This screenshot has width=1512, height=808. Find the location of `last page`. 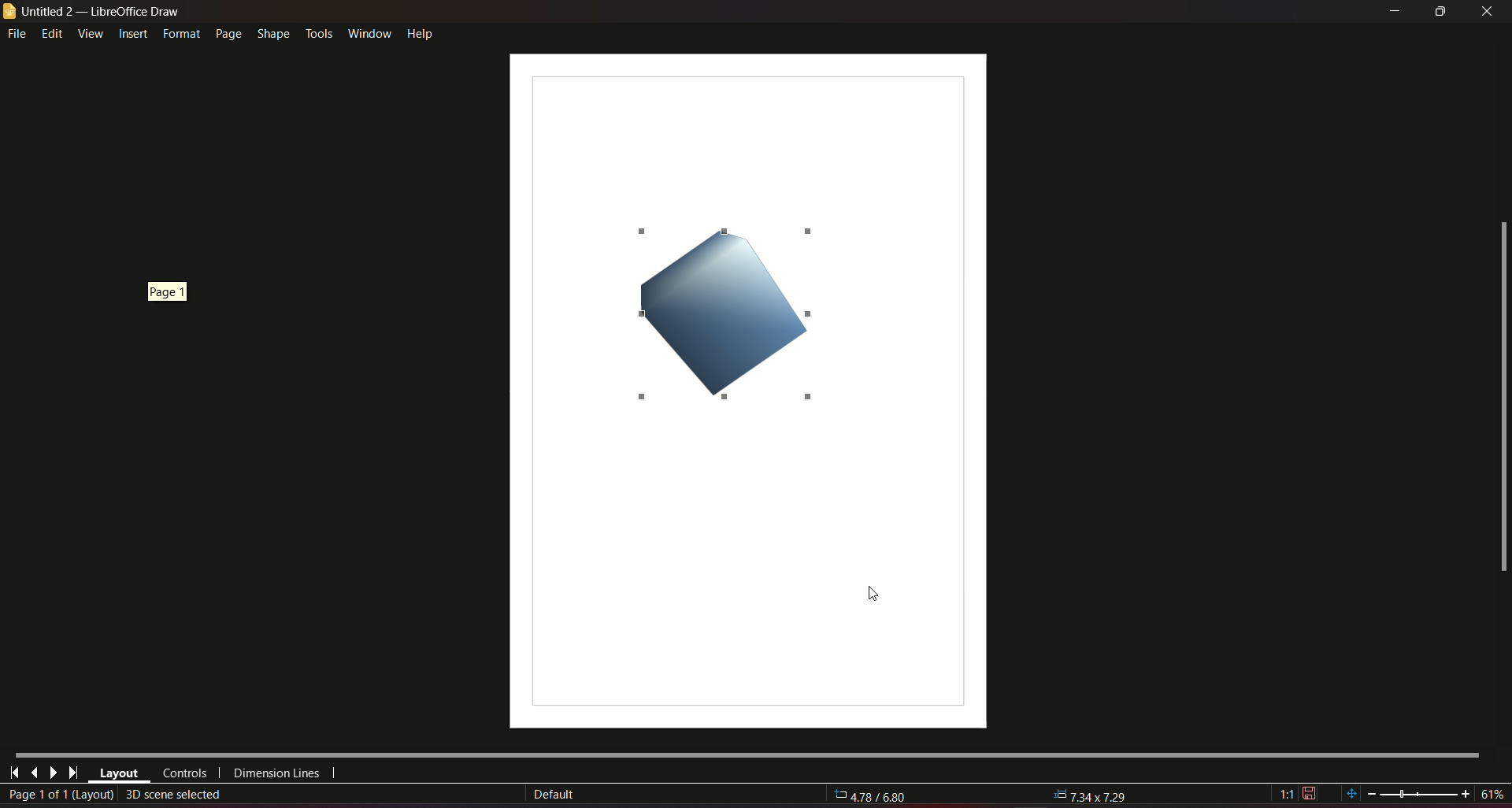

last page is located at coordinates (72, 773).